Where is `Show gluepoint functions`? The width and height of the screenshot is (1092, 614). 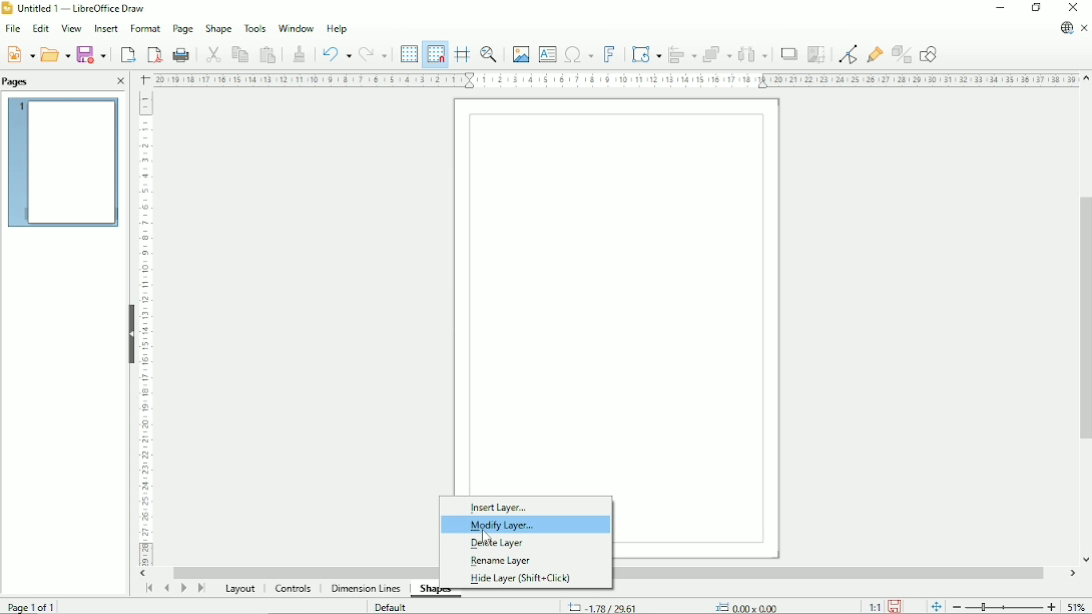 Show gluepoint functions is located at coordinates (873, 56).